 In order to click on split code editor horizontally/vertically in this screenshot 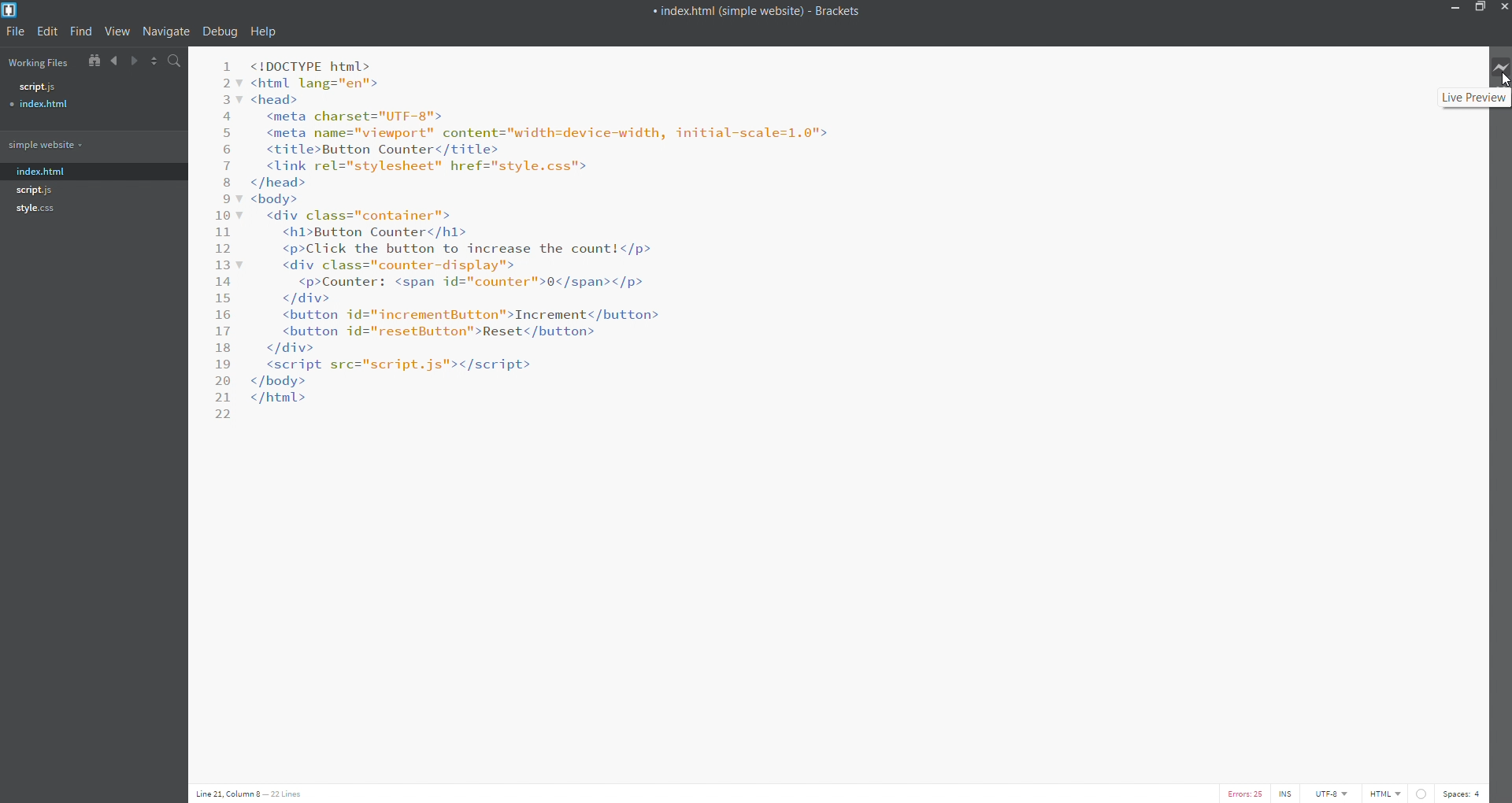, I will do `click(153, 62)`.